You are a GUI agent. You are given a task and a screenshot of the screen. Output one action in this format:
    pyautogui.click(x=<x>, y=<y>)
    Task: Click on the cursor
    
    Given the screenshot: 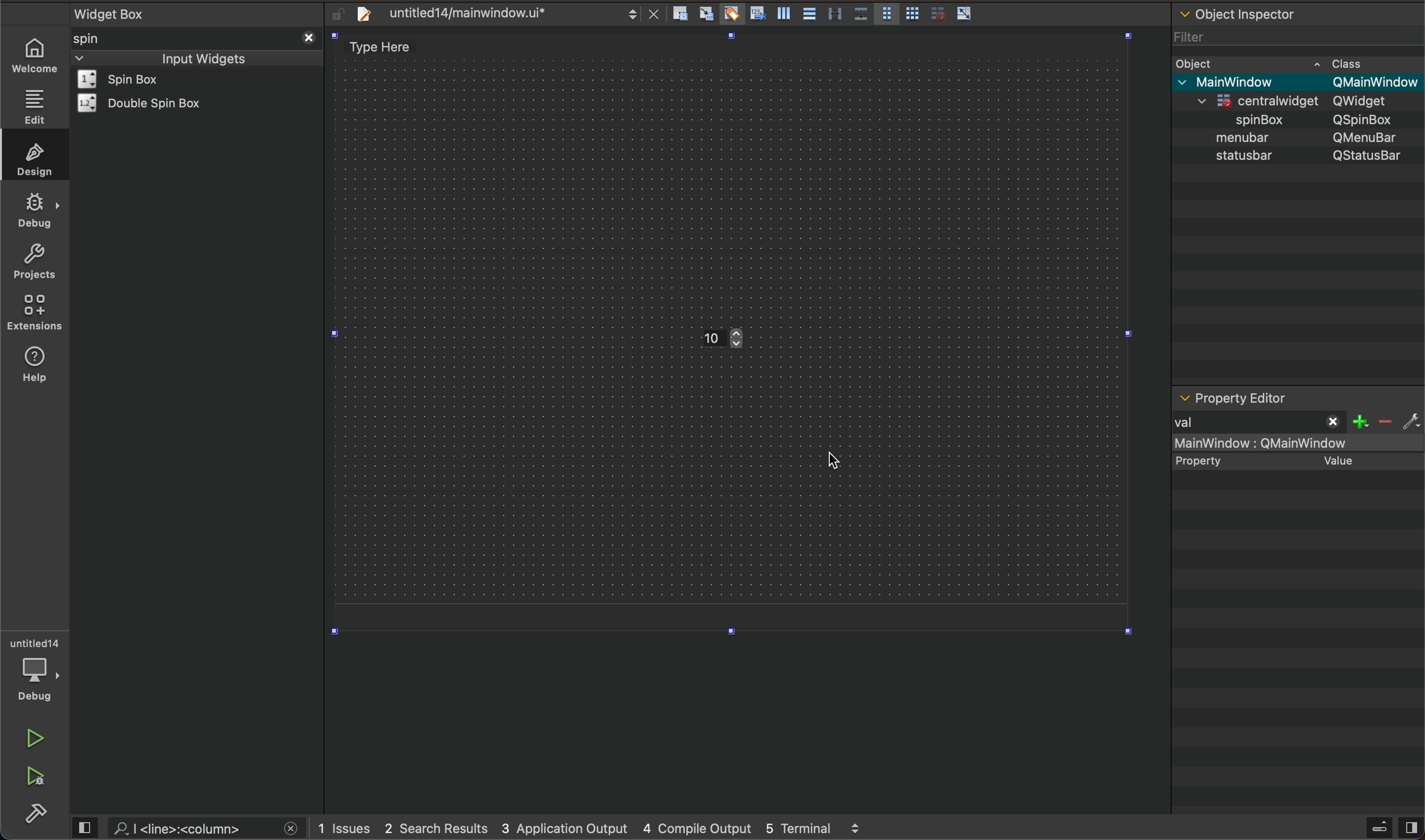 What is the action you would take?
    pyautogui.click(x=833, y=461)
    